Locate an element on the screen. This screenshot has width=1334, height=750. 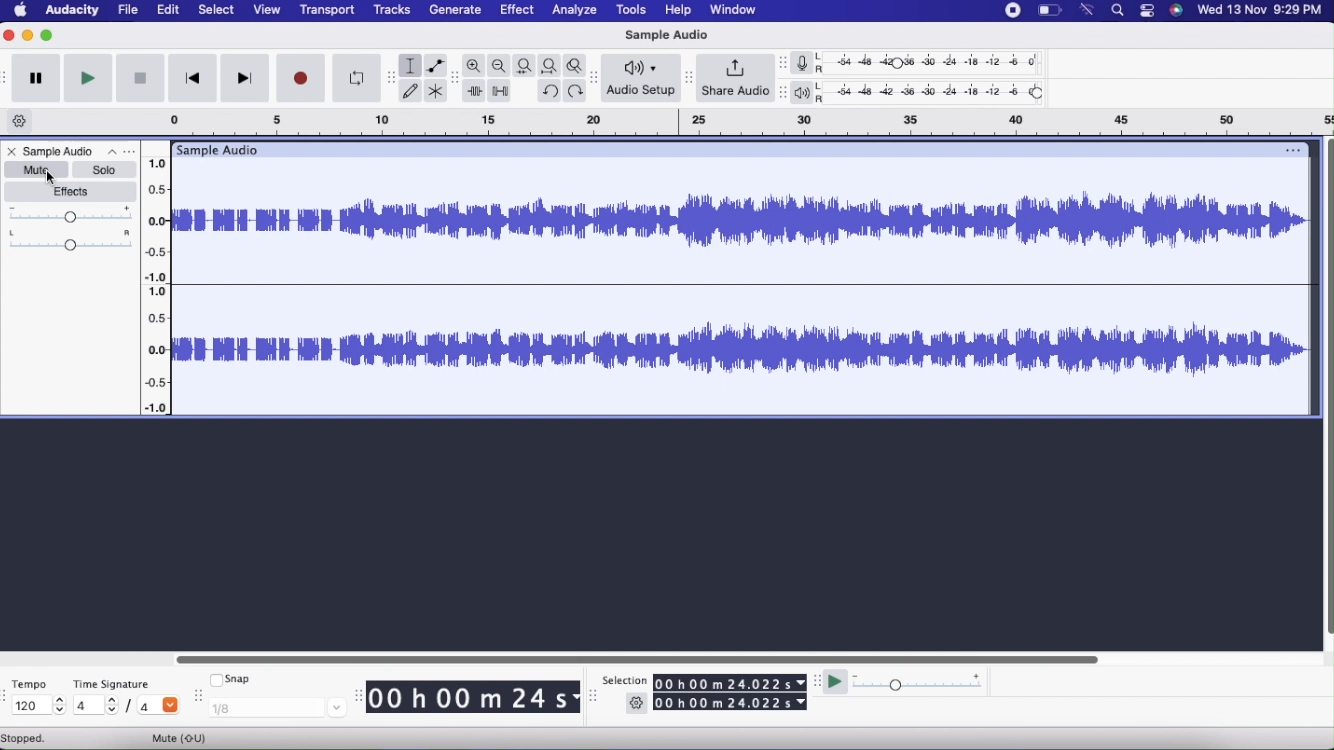
Pan:Center is located at coordinates (72, 240).